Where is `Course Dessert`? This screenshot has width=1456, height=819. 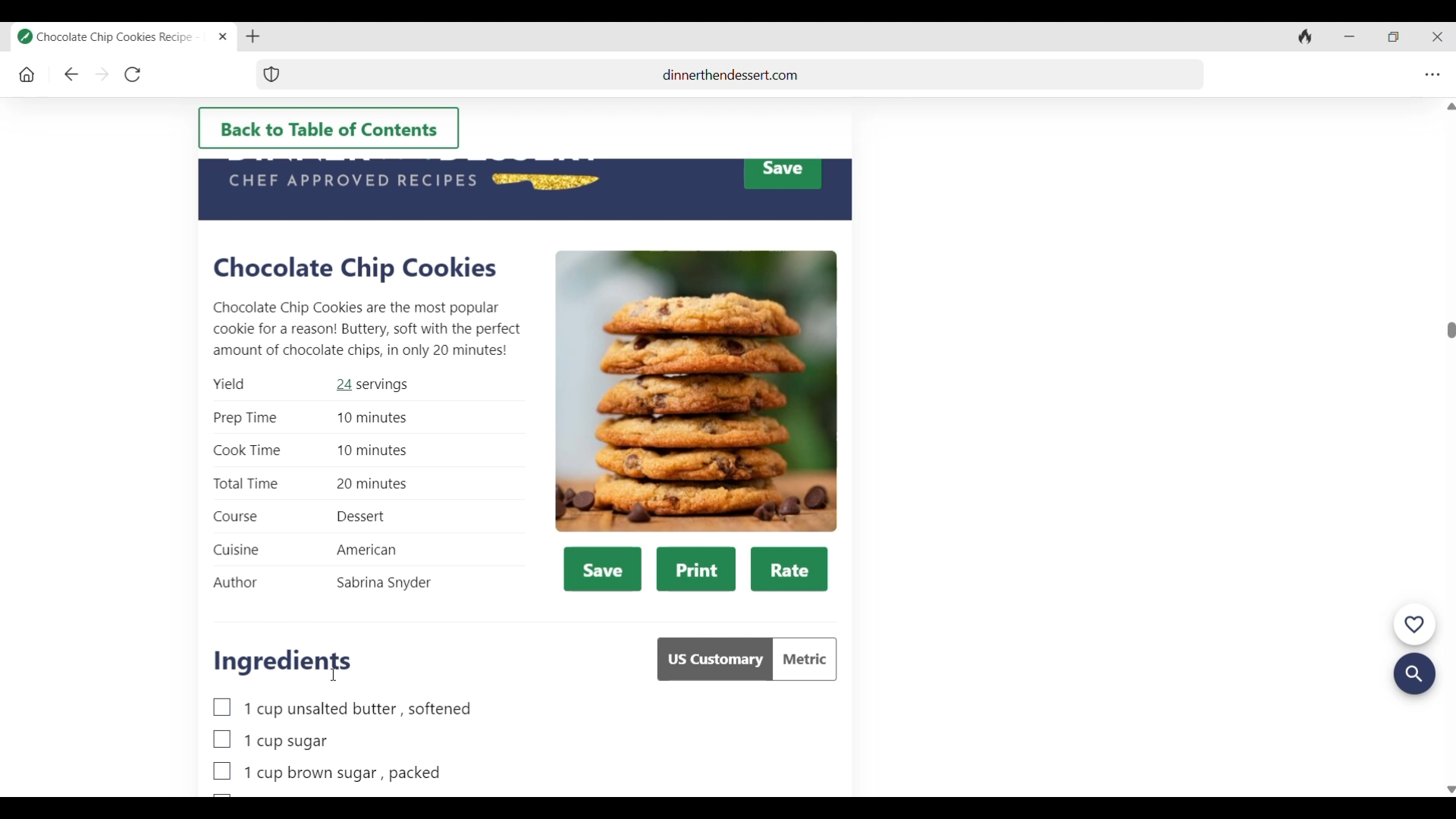 Course Dessert is located at coordinates (300, 517).